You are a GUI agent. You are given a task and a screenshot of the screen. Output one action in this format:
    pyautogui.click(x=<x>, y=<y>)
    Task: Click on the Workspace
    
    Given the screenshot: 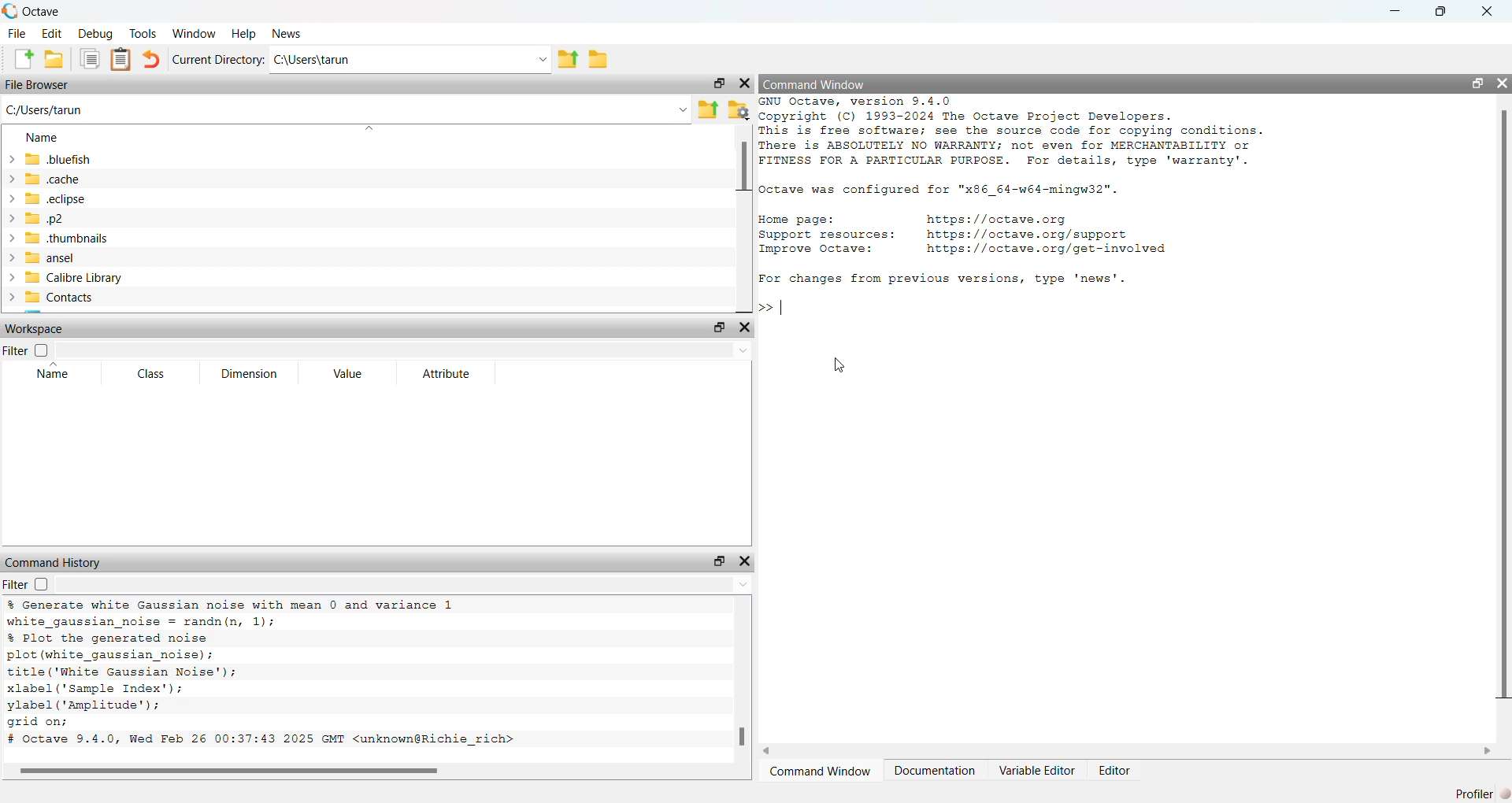 What is the action you would take?
    pyautogui.click(x=36, y=331)
    